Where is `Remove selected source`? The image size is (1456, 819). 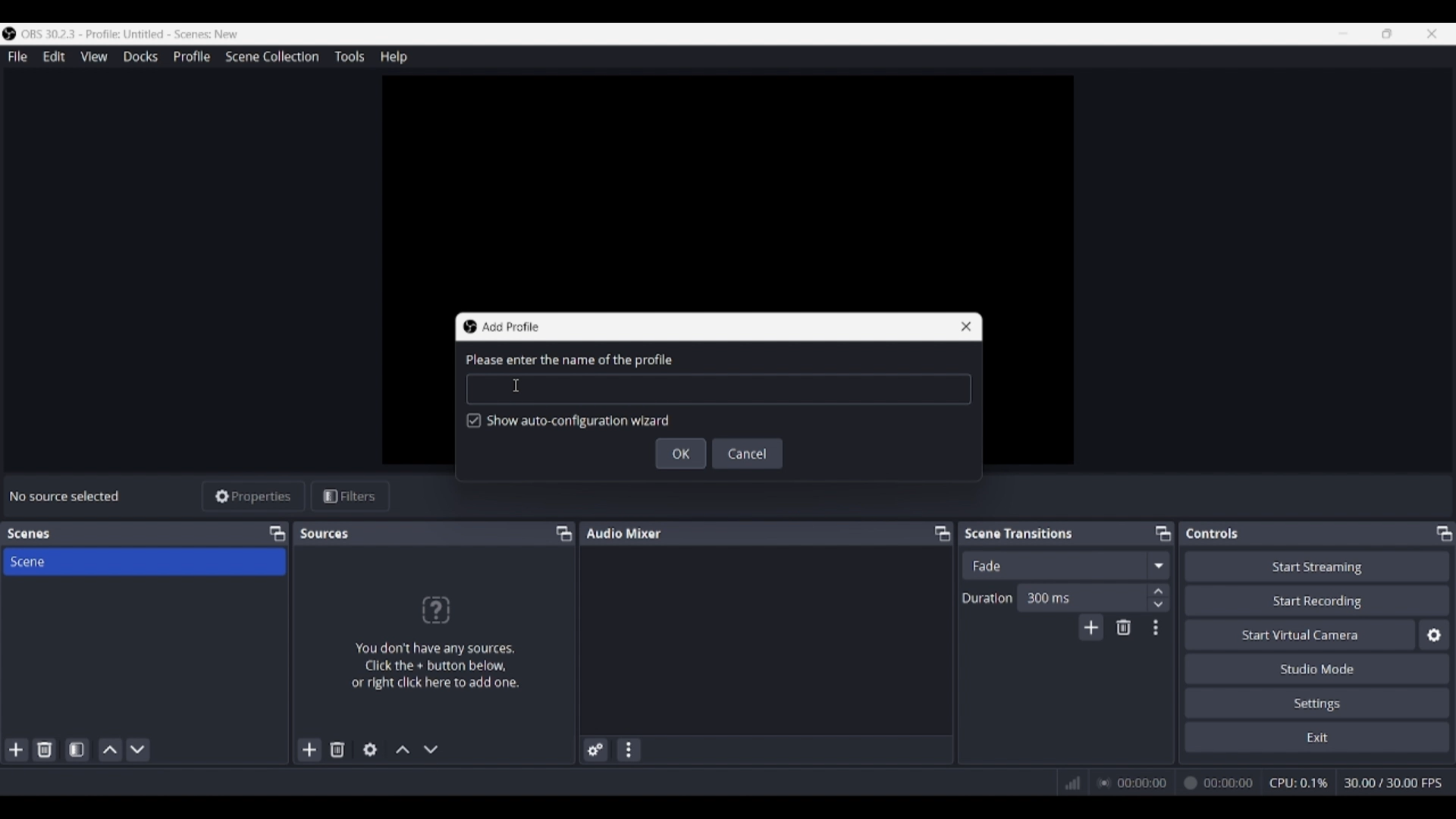 Remove selected source is located at coordinates (337, 749).